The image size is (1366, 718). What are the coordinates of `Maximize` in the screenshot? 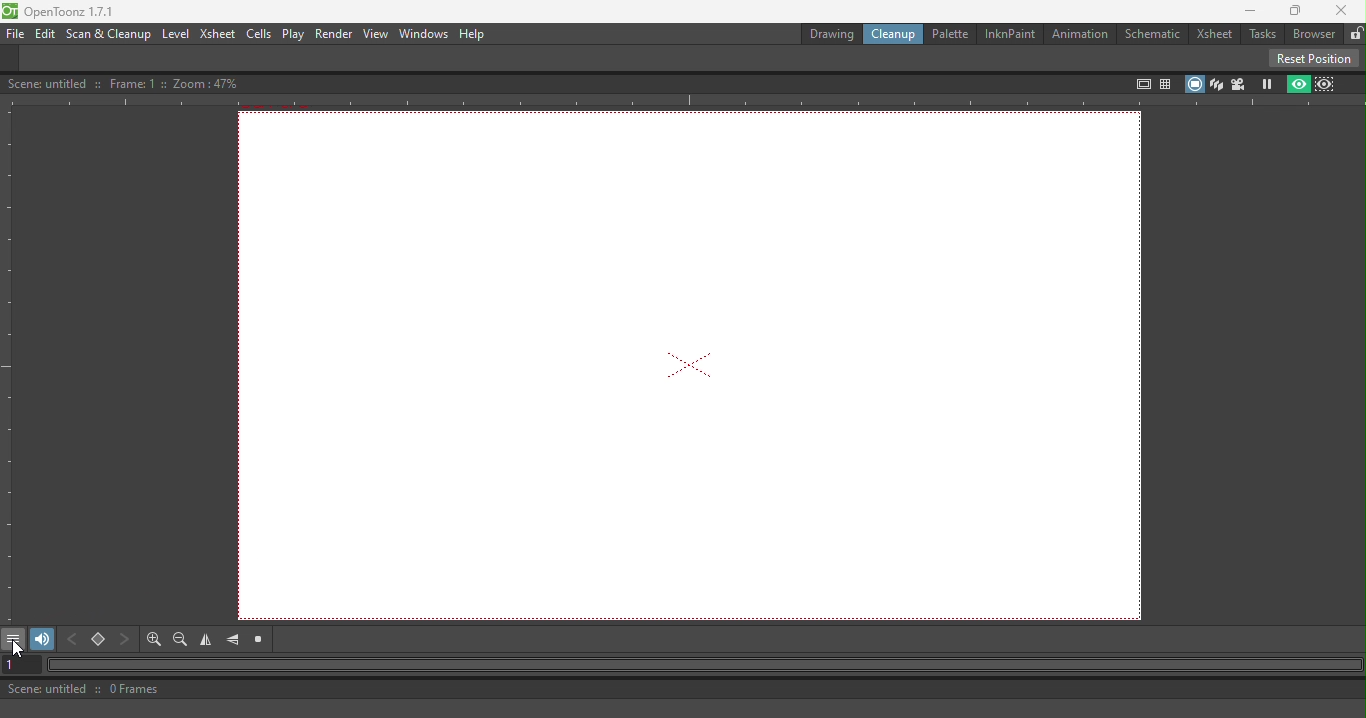 It's located at (1296, 11).